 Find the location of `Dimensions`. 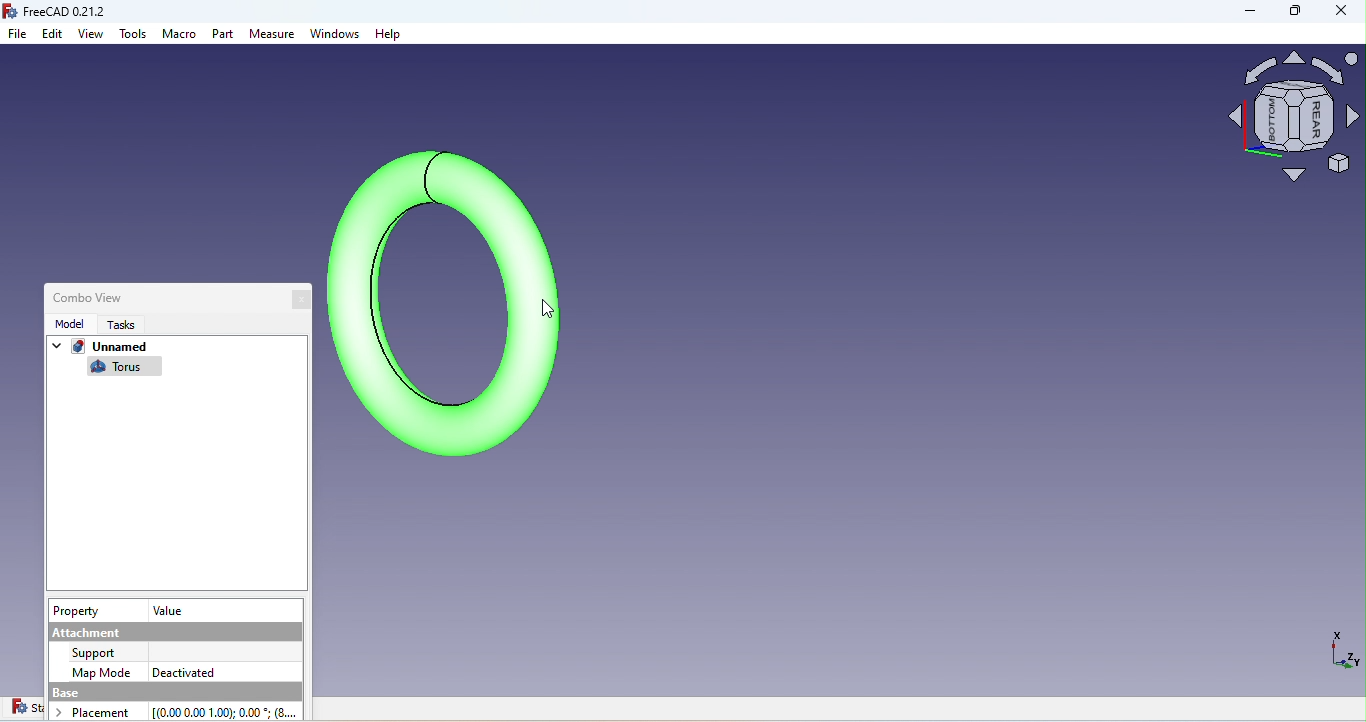

Dimensions is located at coordinates (1341, 656).